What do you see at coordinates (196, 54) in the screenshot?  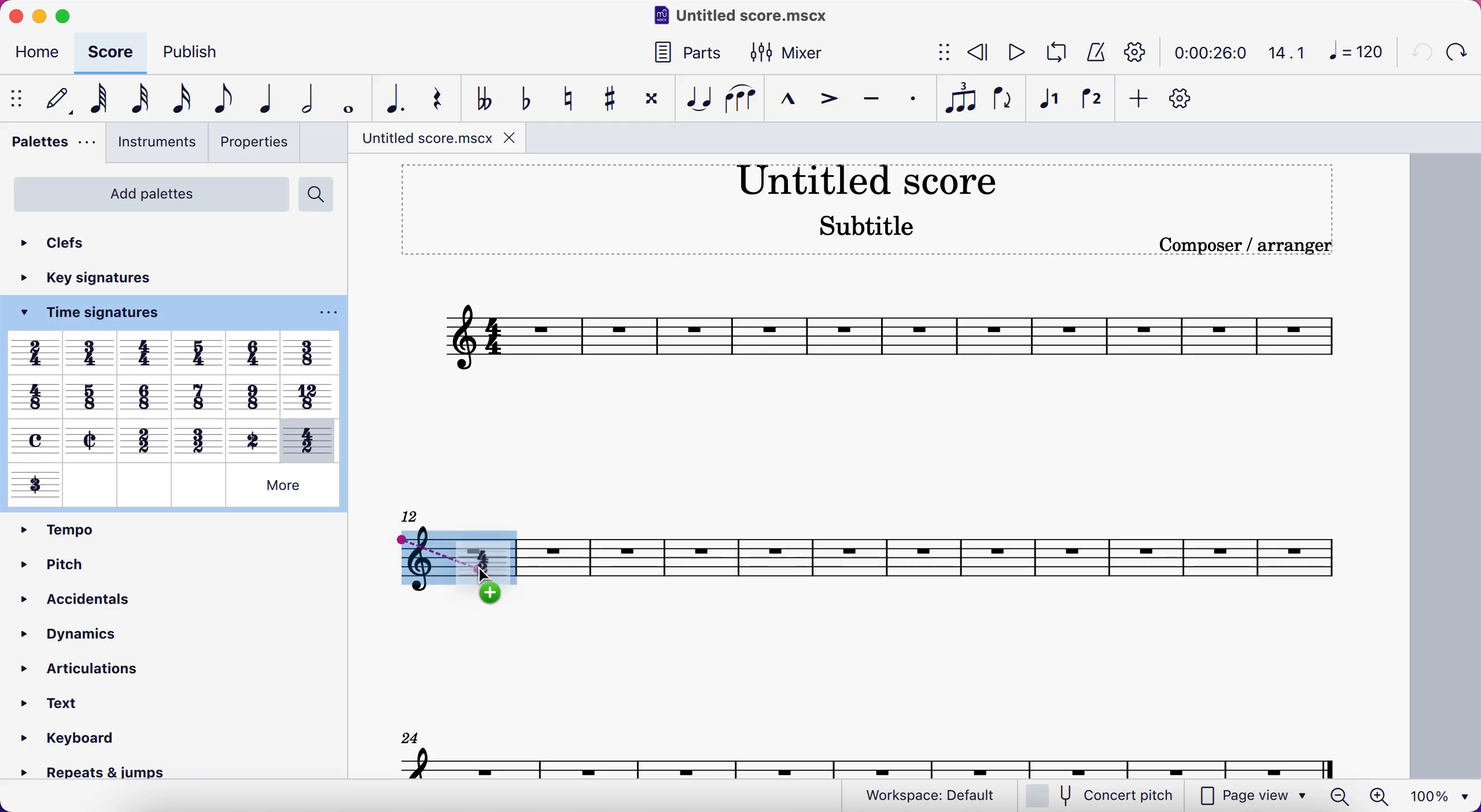 I see `publish` at bounding box center [196, 54].